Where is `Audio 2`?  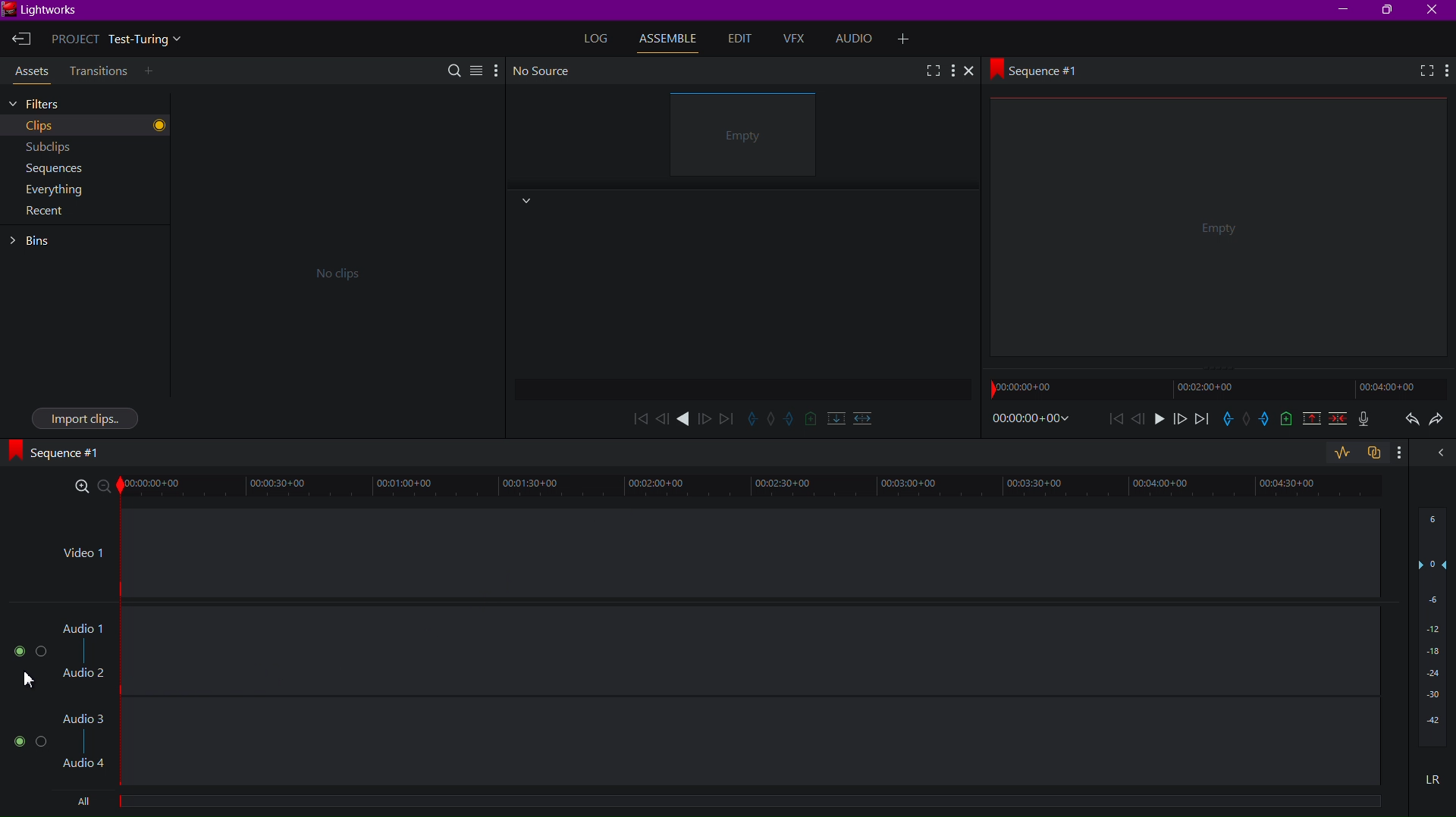 Audio 2 is located at coordinates (84, 674).